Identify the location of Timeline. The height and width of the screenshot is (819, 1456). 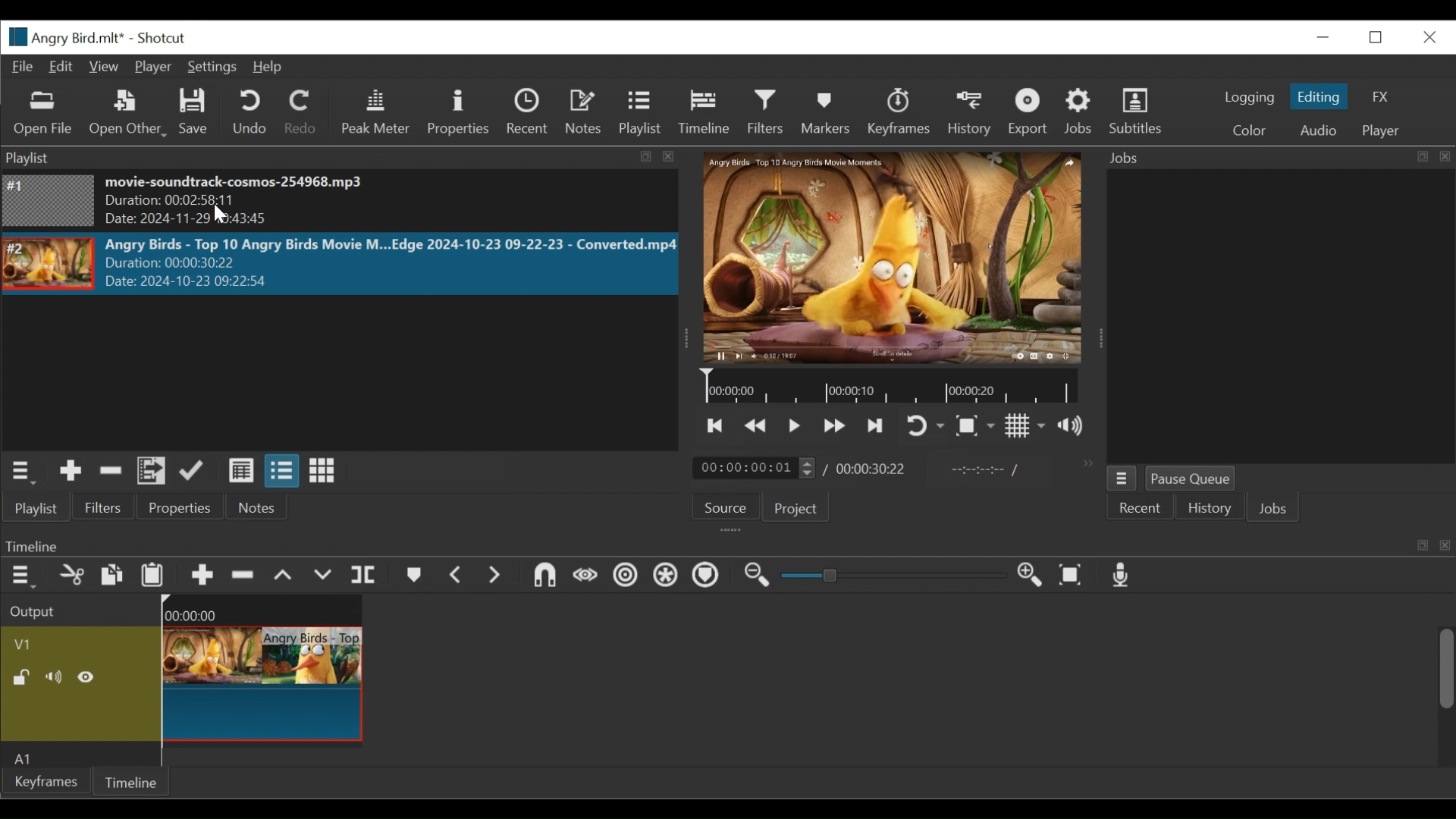
(891, 387).